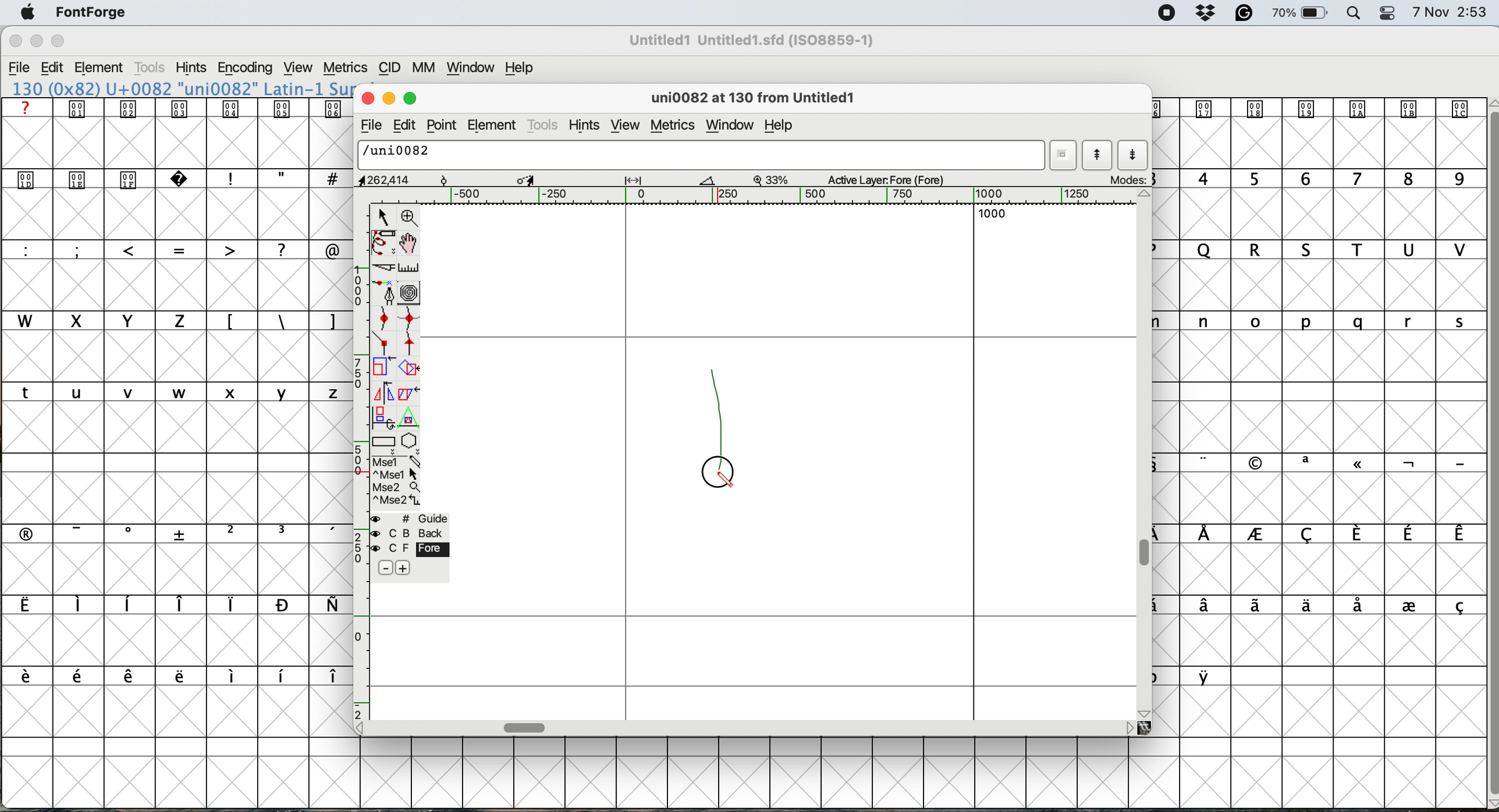  Describe the element at coordinates (517, 69) in the screenshot. I see `help` at that location.